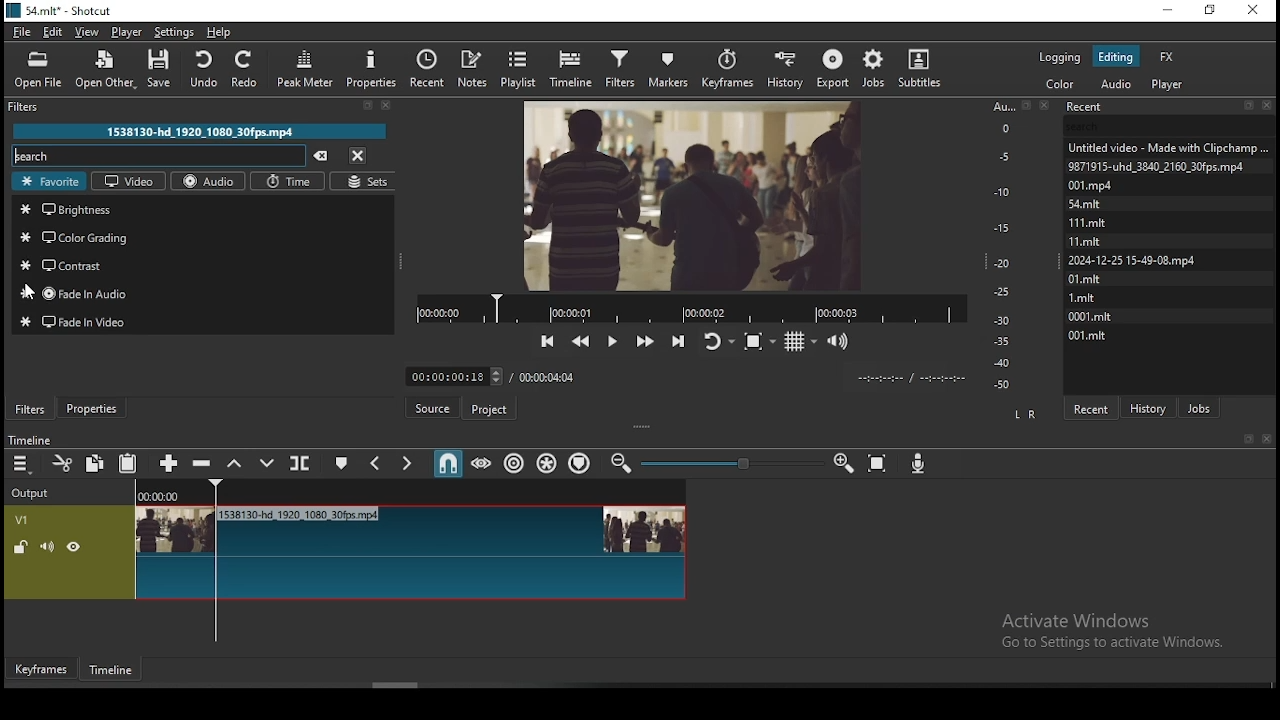 This screenshot has width=1280, height=720. I want to click on lift, so click(236, 466).